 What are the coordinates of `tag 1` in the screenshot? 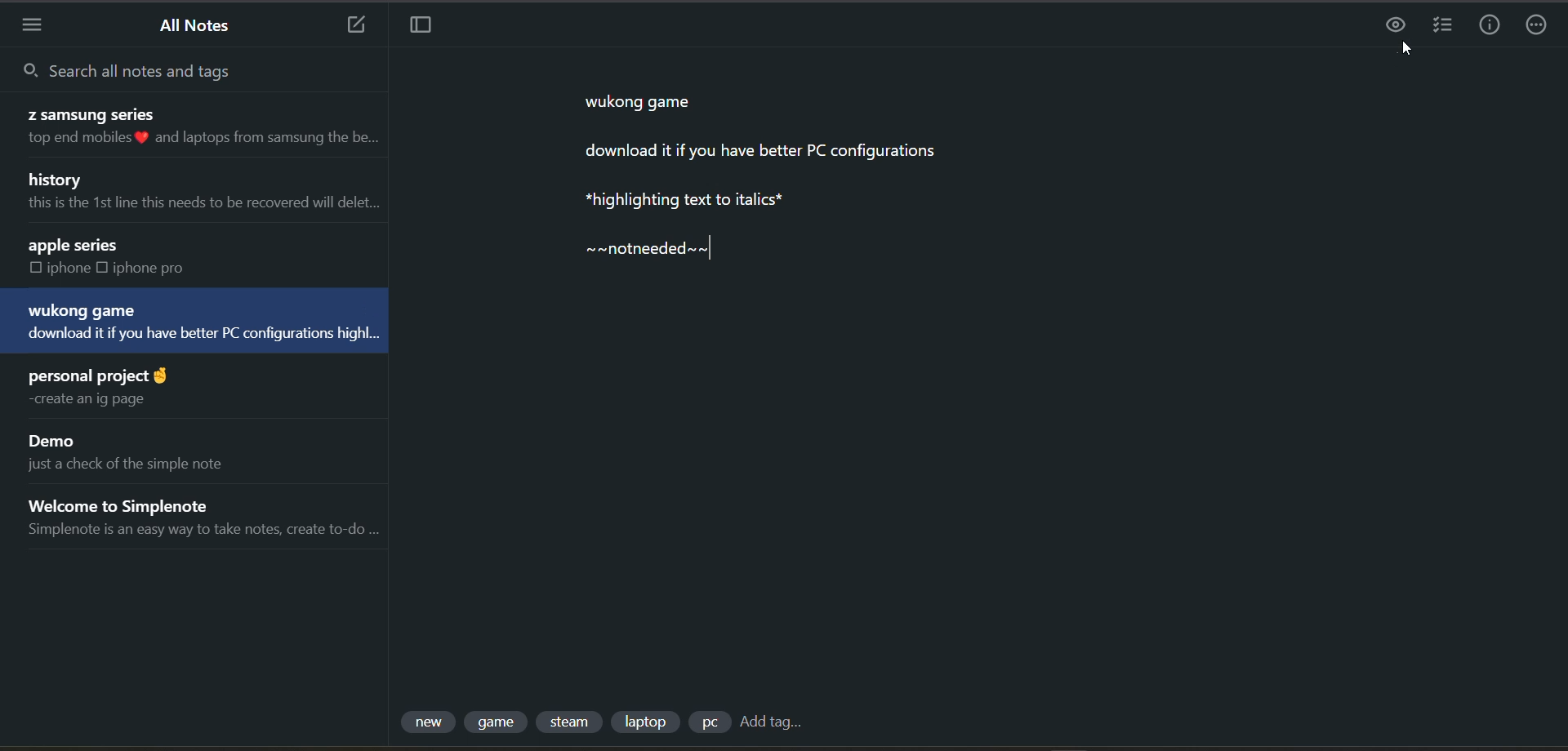 It's located at (427, 722).